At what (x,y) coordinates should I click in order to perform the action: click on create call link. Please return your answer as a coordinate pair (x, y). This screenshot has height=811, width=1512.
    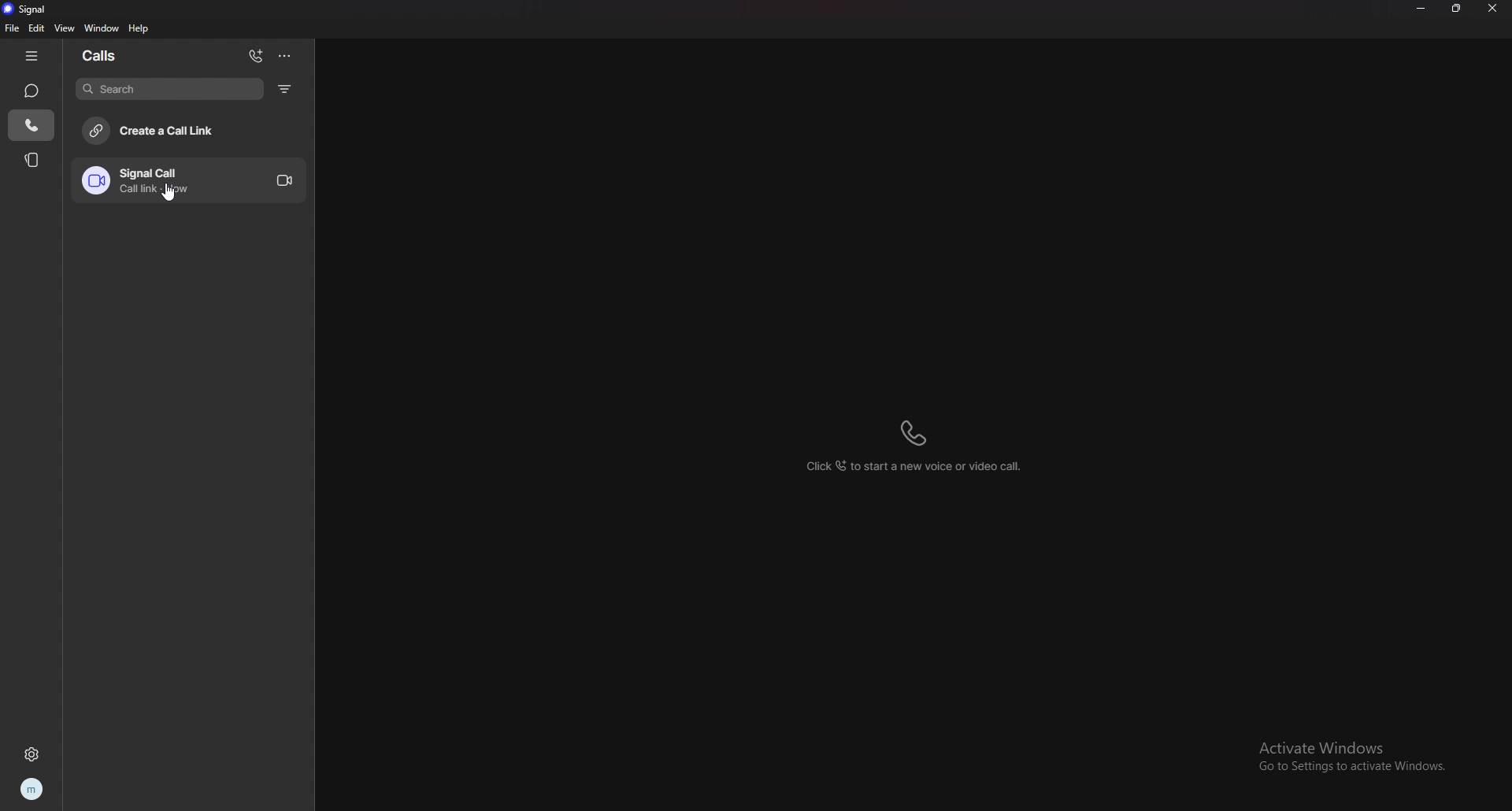
    Looking at the image, I should click on (194, 131).